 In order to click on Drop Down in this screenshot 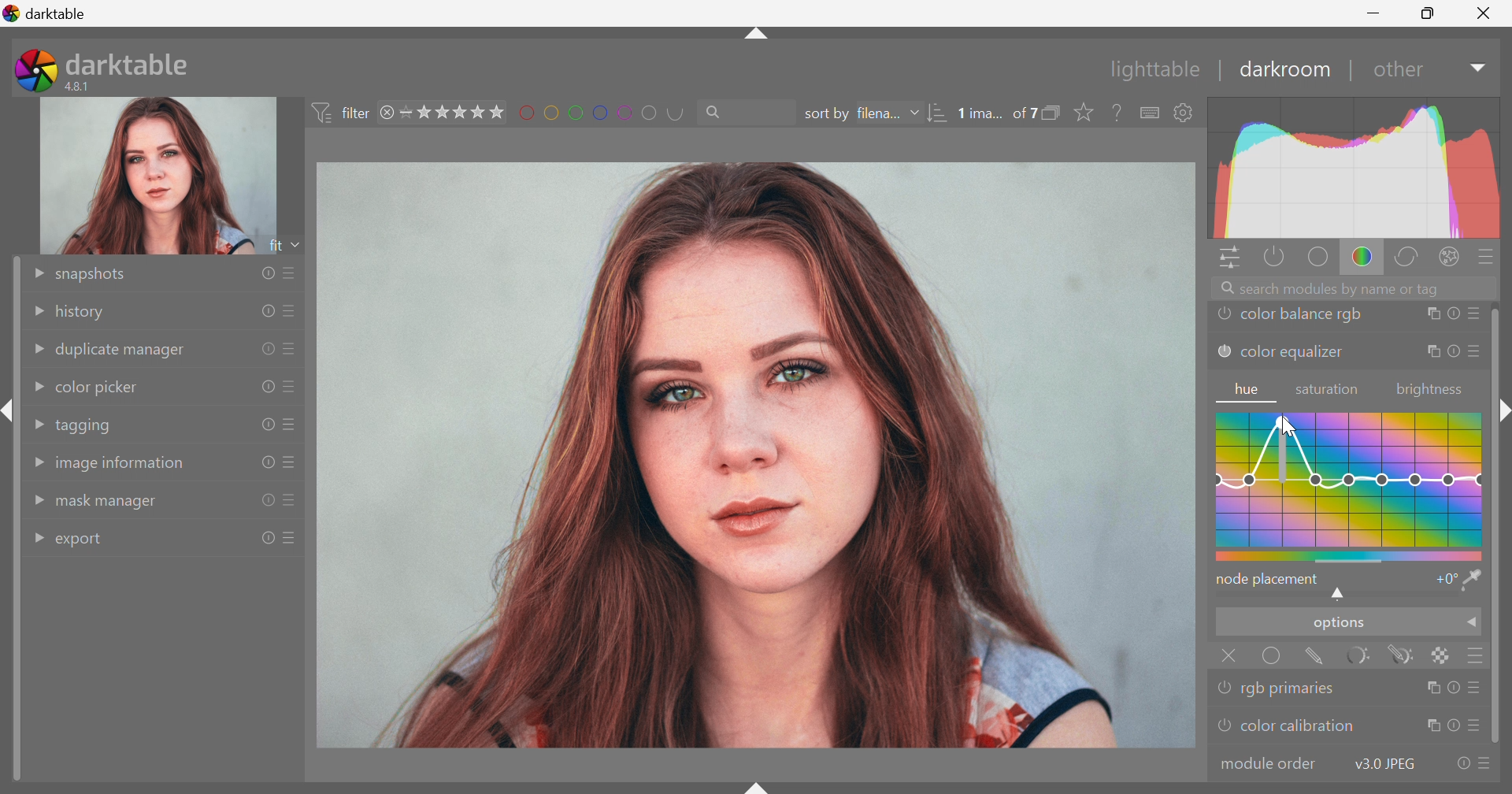, I will do `click(36, 462)`.